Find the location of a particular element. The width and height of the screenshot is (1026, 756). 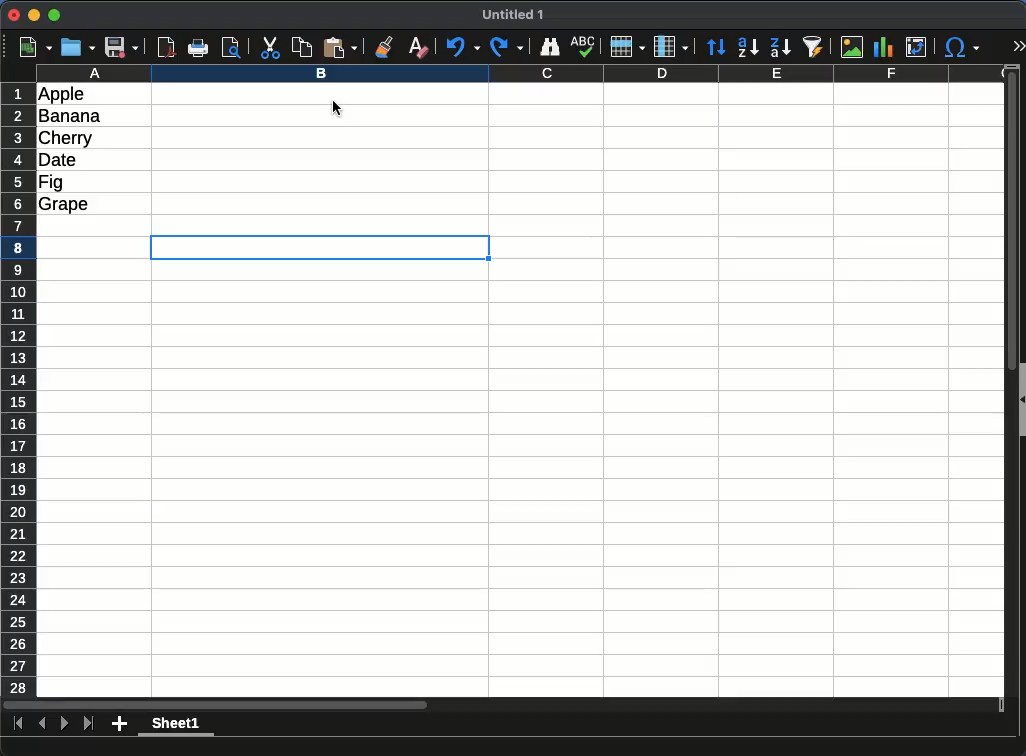

print preview is located at coordinates (232, 48).